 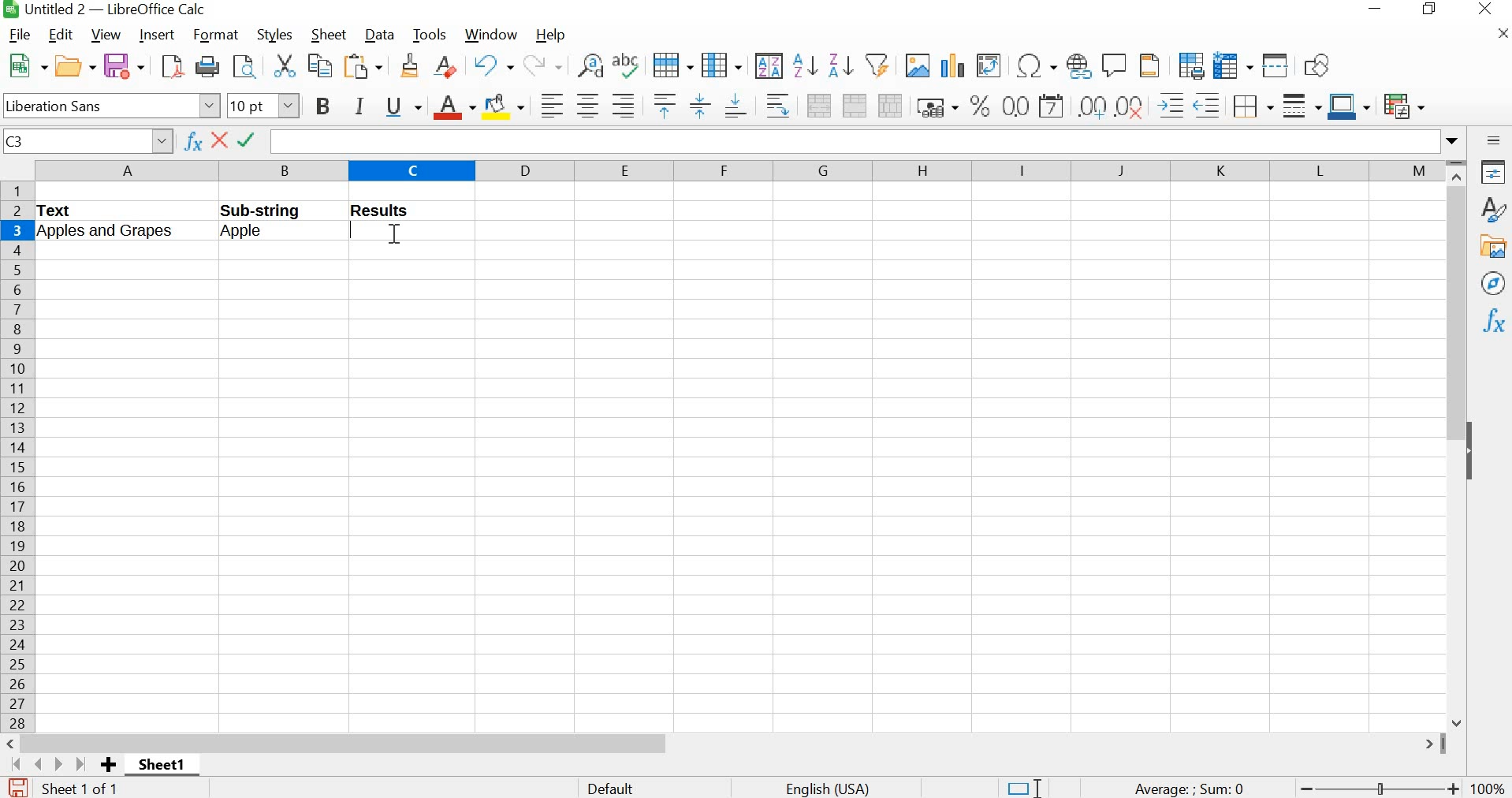 What do you see at coordinates (16, 787) in the screenshot?
I see `save` at bounding box center [16, 787].